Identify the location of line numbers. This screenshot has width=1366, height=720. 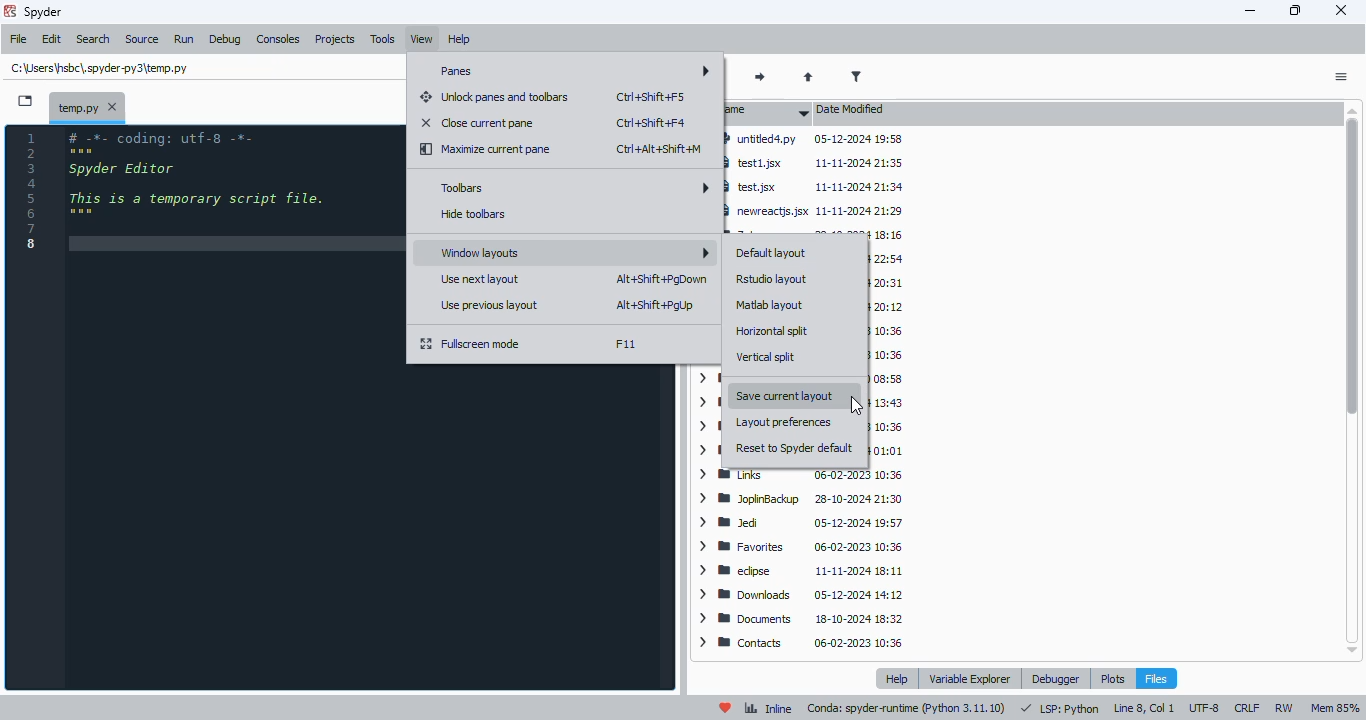
(34, 192).